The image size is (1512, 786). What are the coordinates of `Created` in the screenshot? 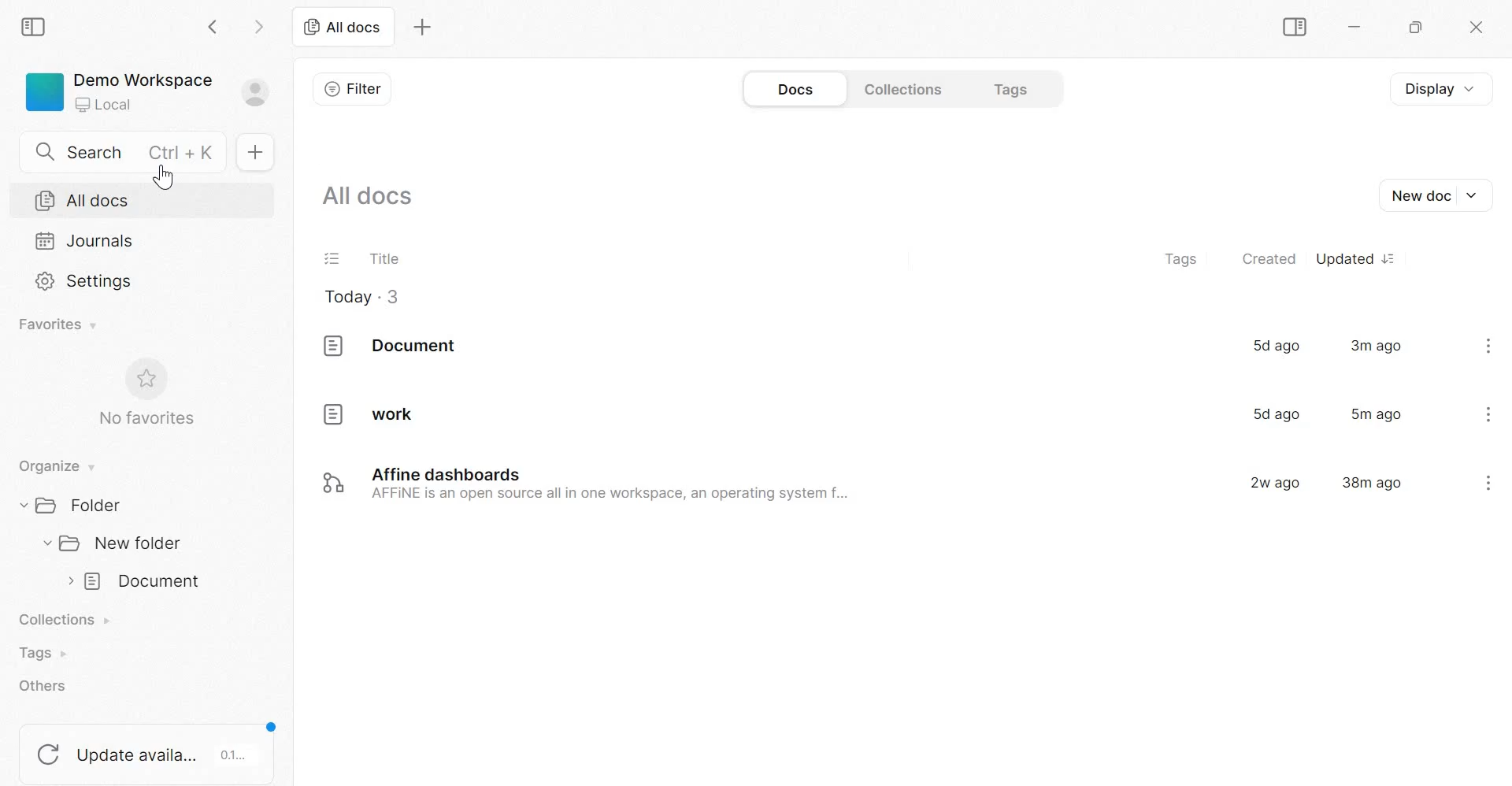 It's located at (1269, 258).